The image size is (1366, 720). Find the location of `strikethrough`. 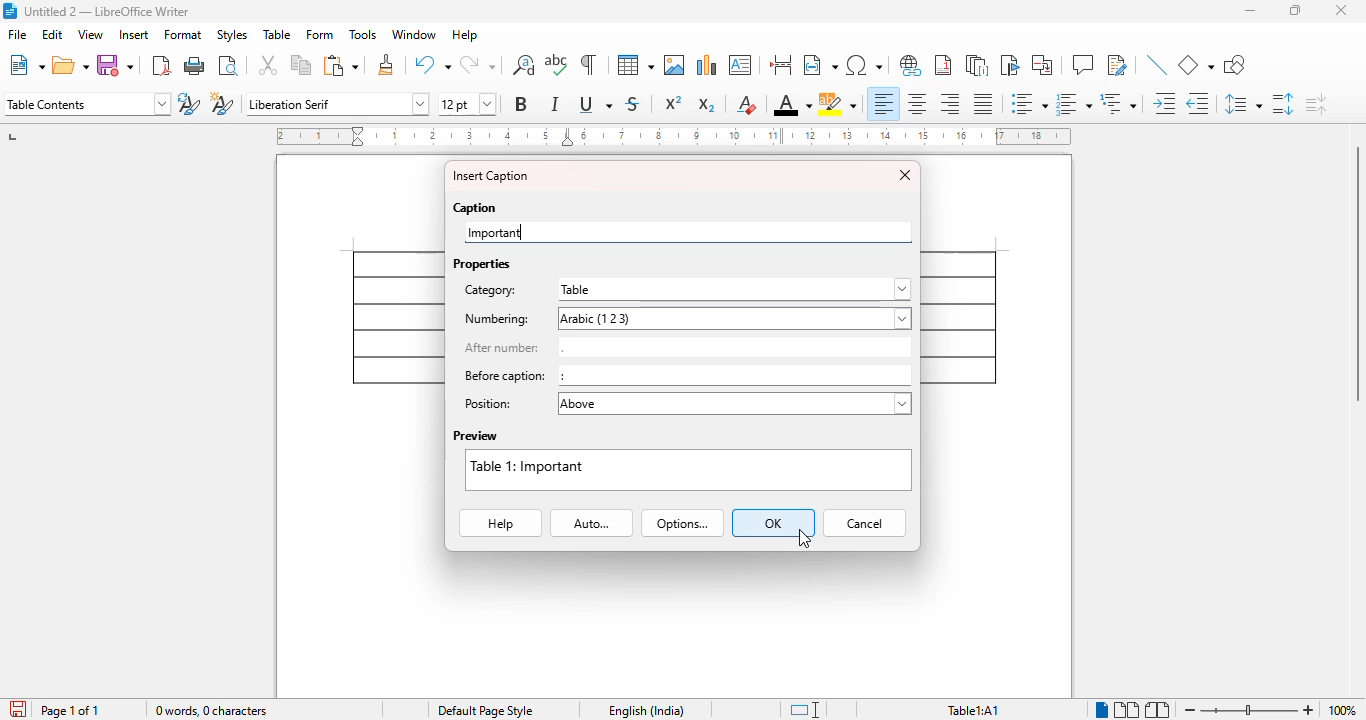

strikethrough is located at coordinates (633, 105).